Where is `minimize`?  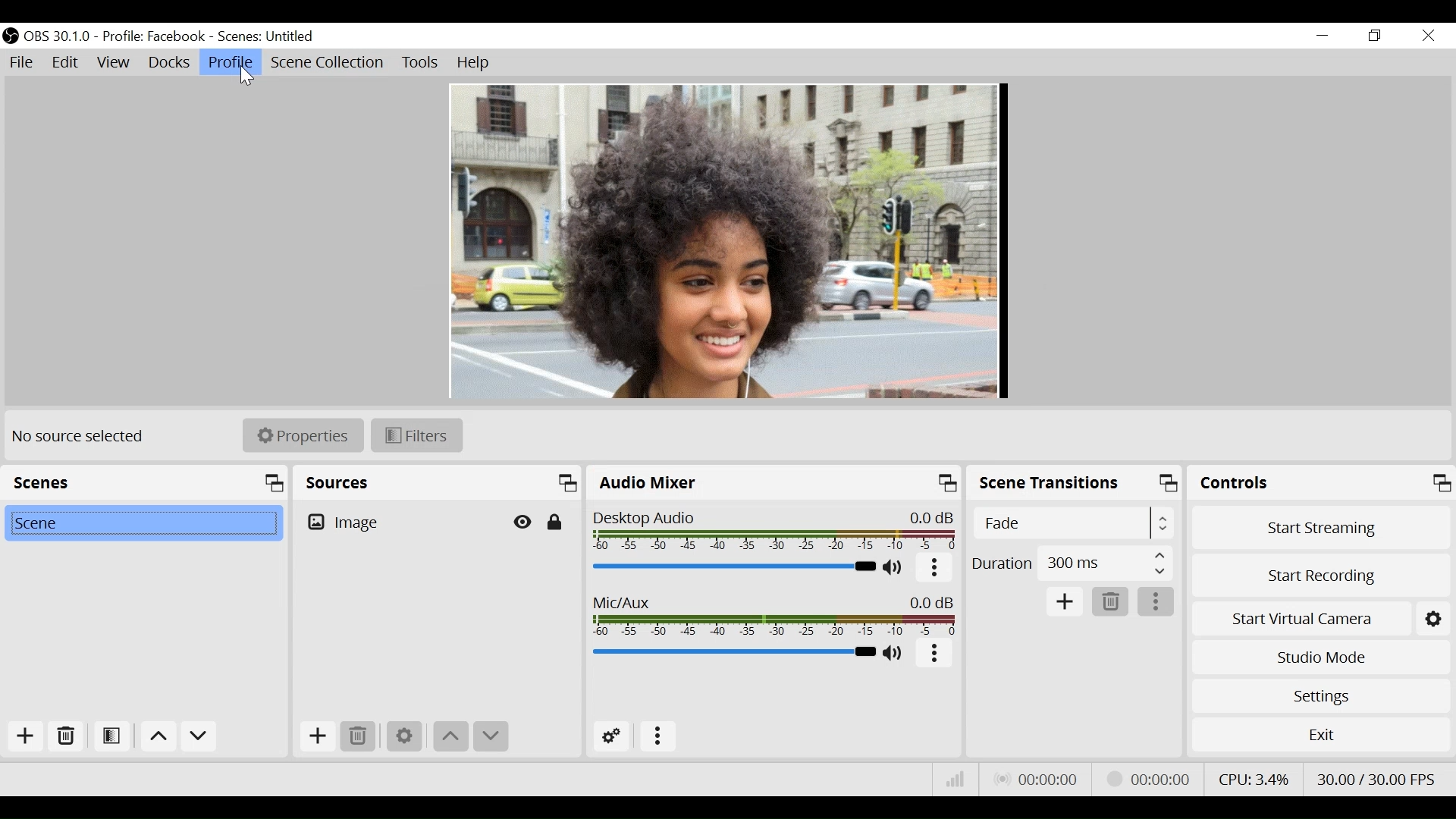
minimize is located at coordinates (1321, 37).